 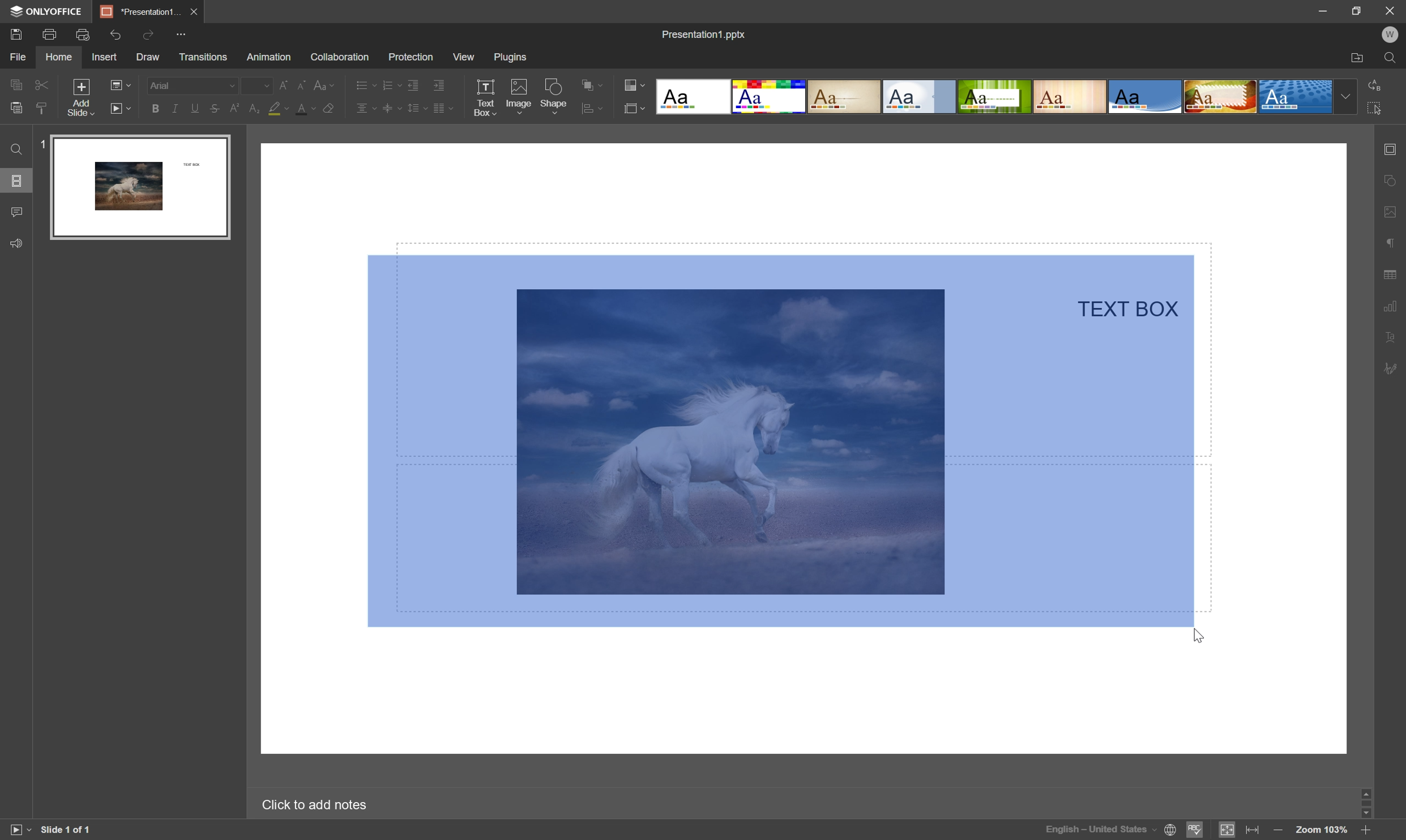 I want to click on view, so click(x=462, y=57).